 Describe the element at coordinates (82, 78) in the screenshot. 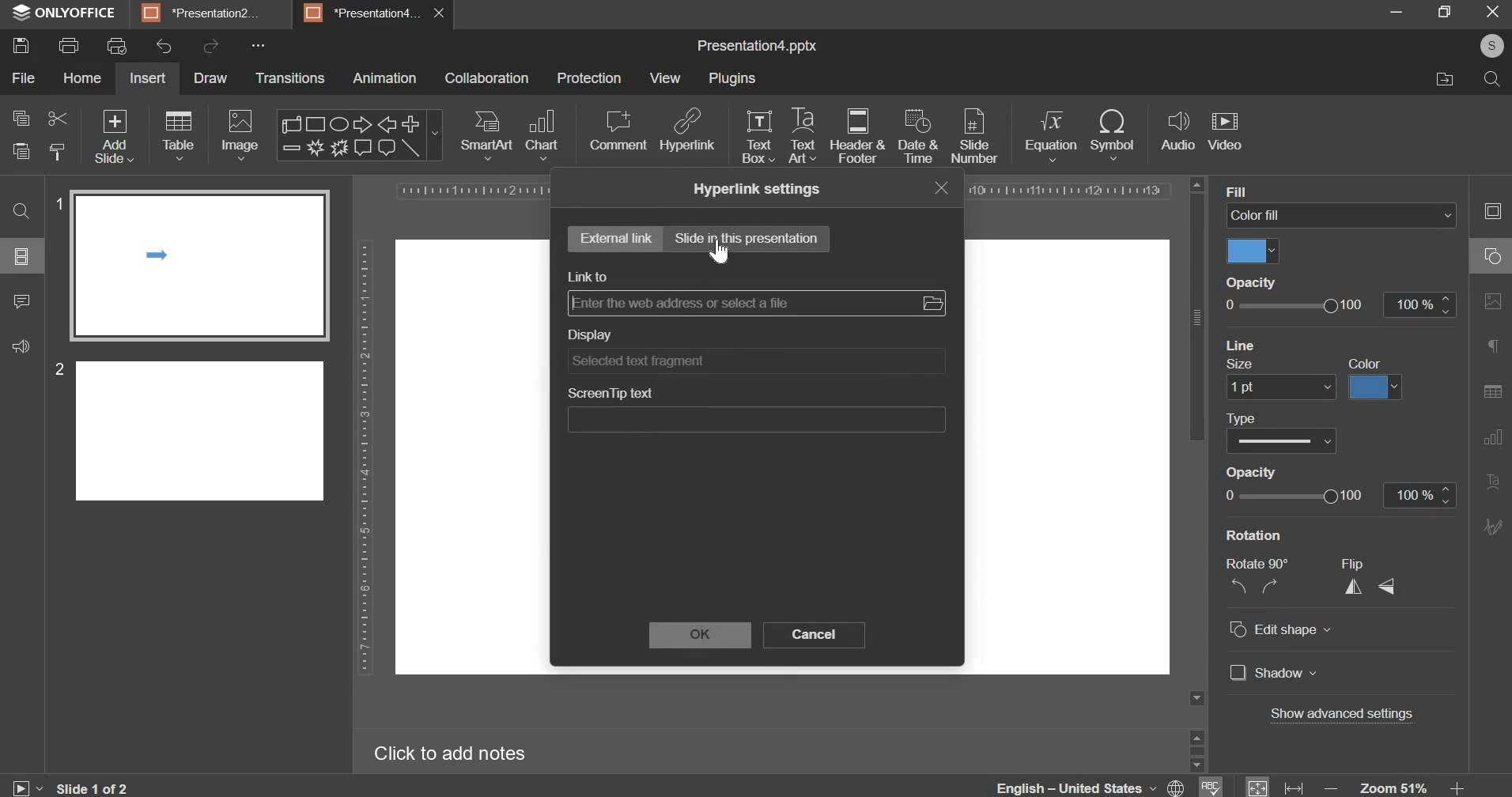

I see `home` at that location.